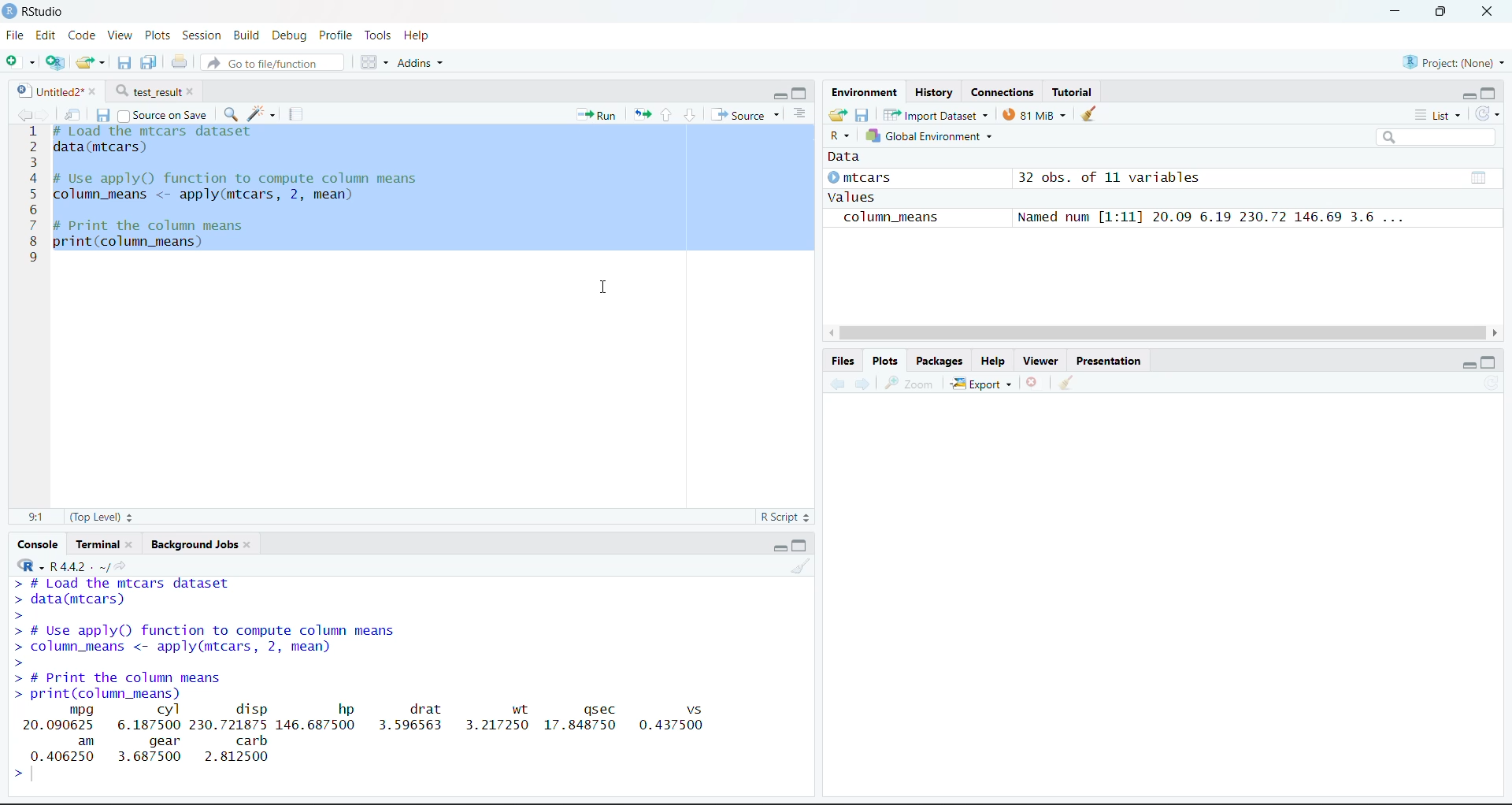  What do you see at coordinates (43, 34) in the screenshot?
I see `Edit` at bounding box center [43, 34].